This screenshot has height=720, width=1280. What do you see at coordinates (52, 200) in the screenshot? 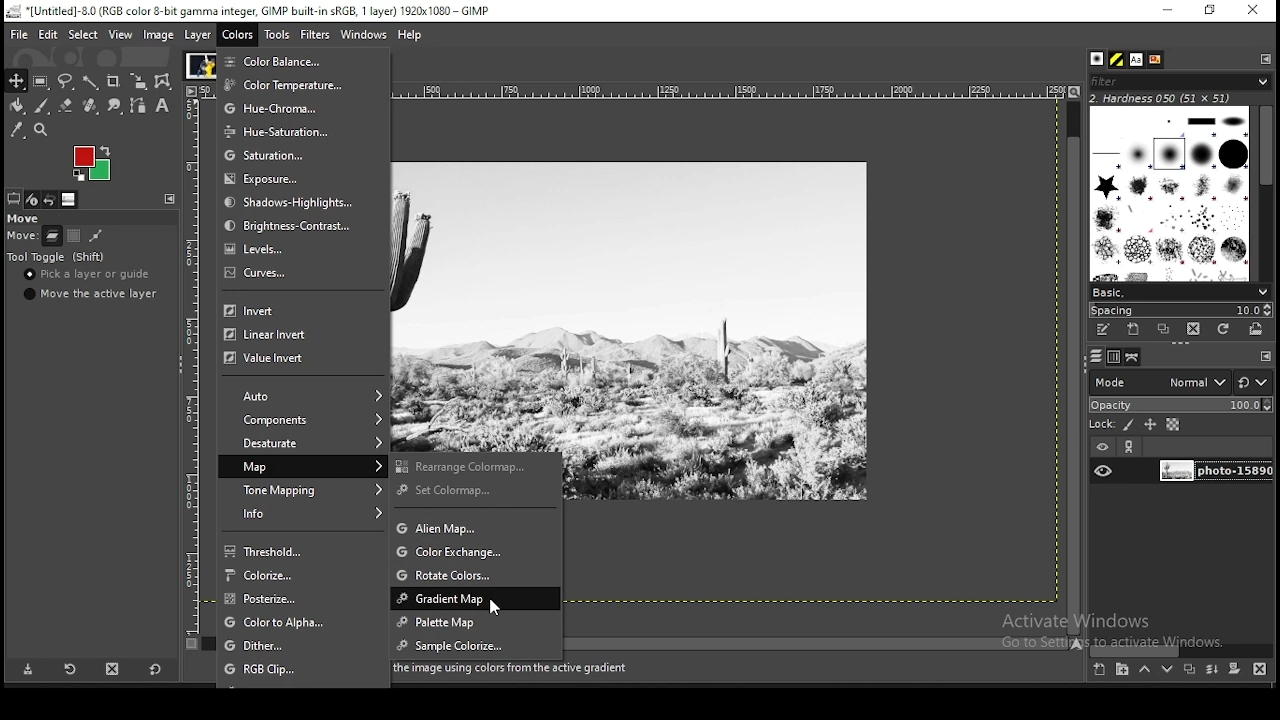
I see `undo history` at bounding box center [52, 200].